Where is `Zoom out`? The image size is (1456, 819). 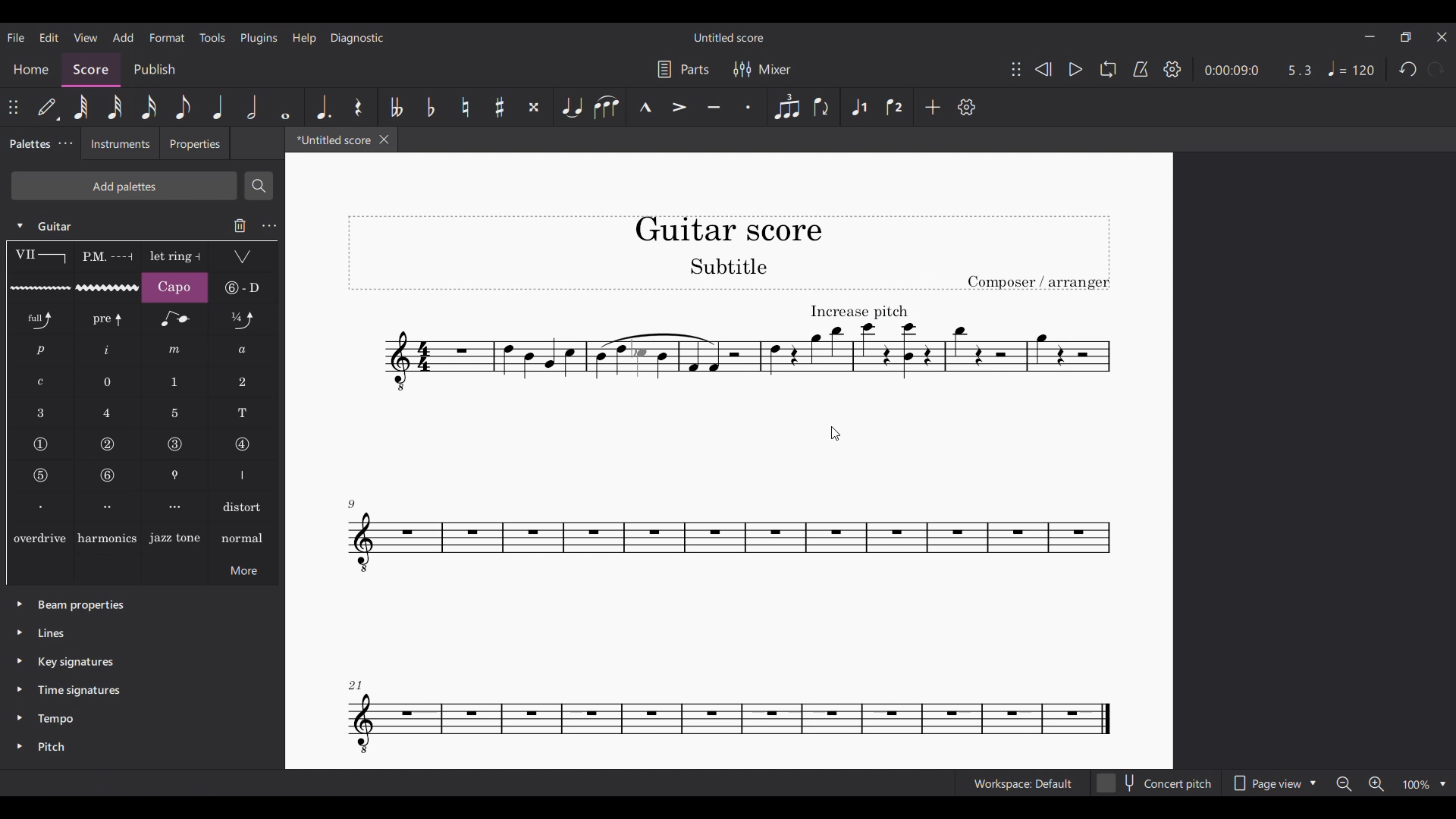
Zoom out is located at coordinates (1345, 784).